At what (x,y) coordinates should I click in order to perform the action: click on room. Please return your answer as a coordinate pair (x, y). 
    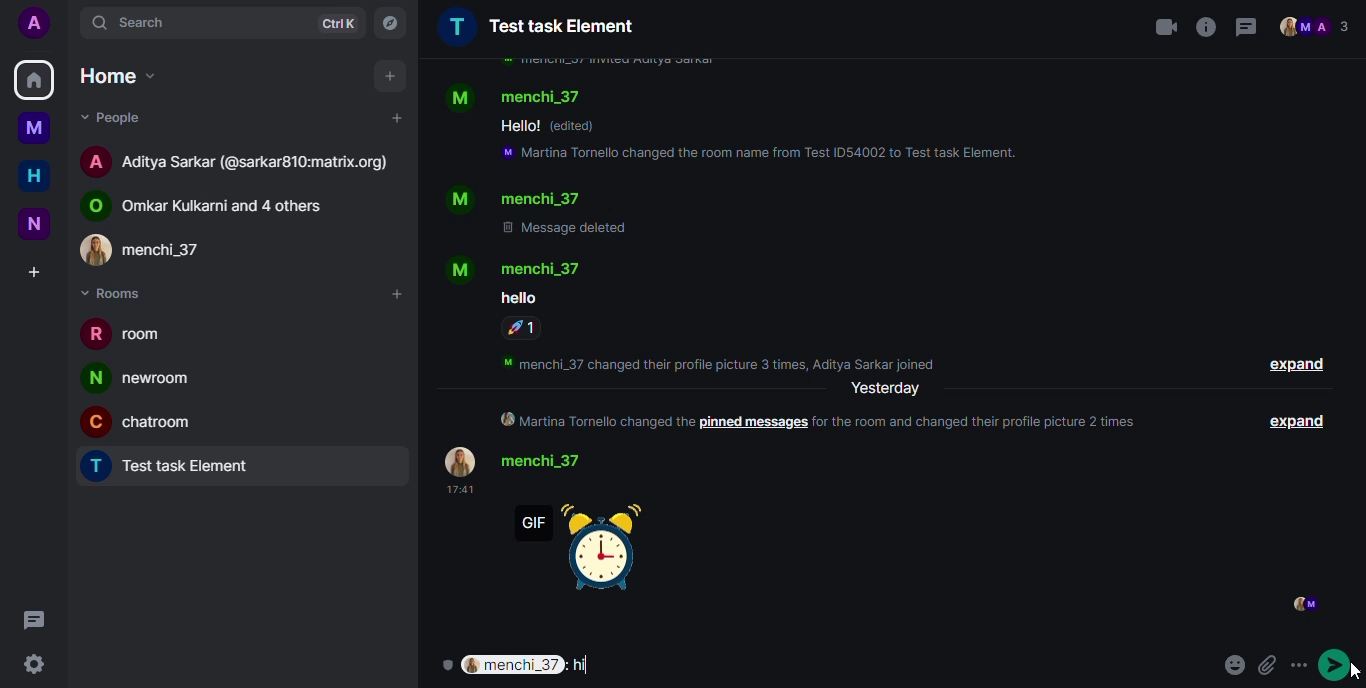
    Looking at the image, I should click on (130, 337).